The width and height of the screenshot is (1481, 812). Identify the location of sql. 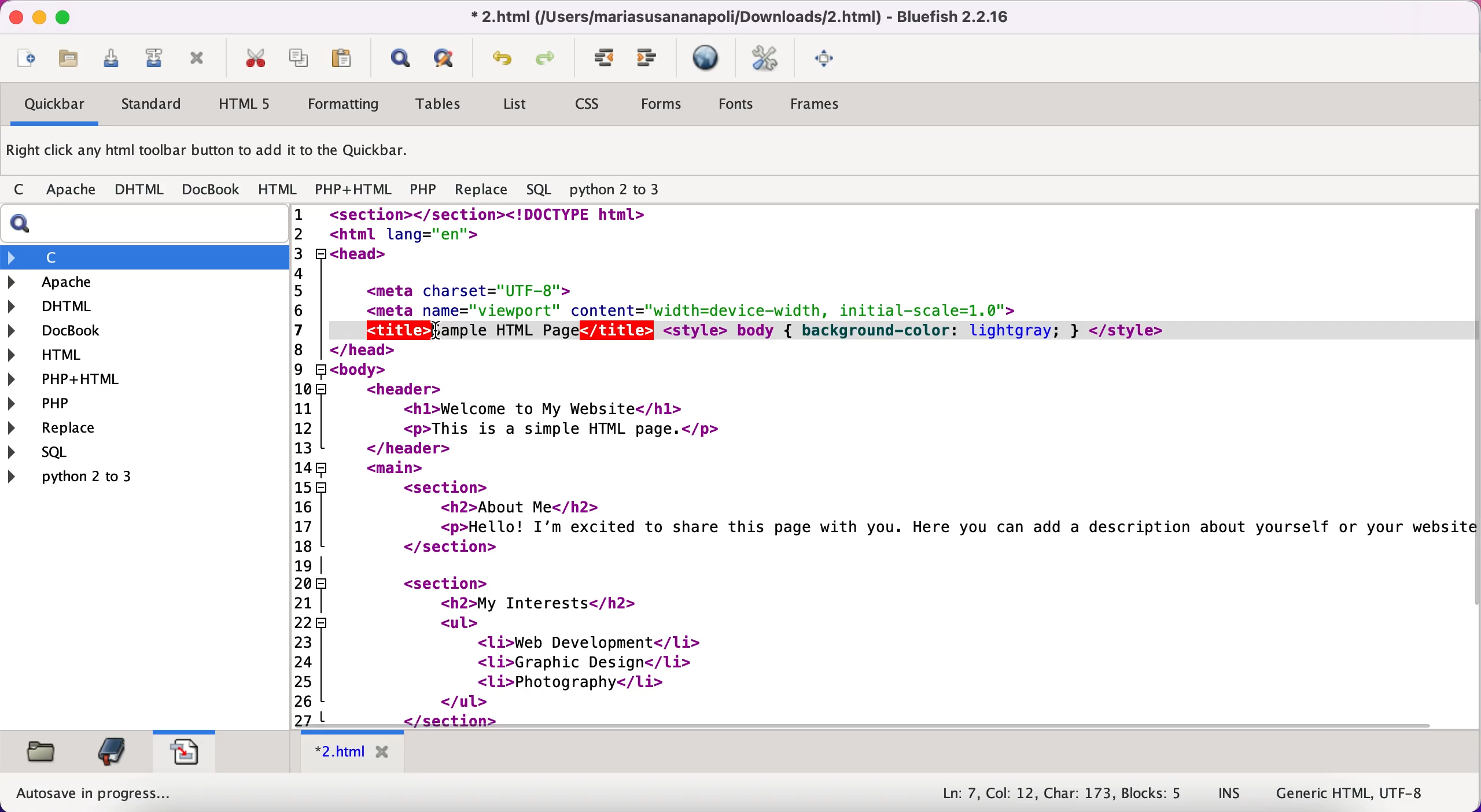
(91, 452).